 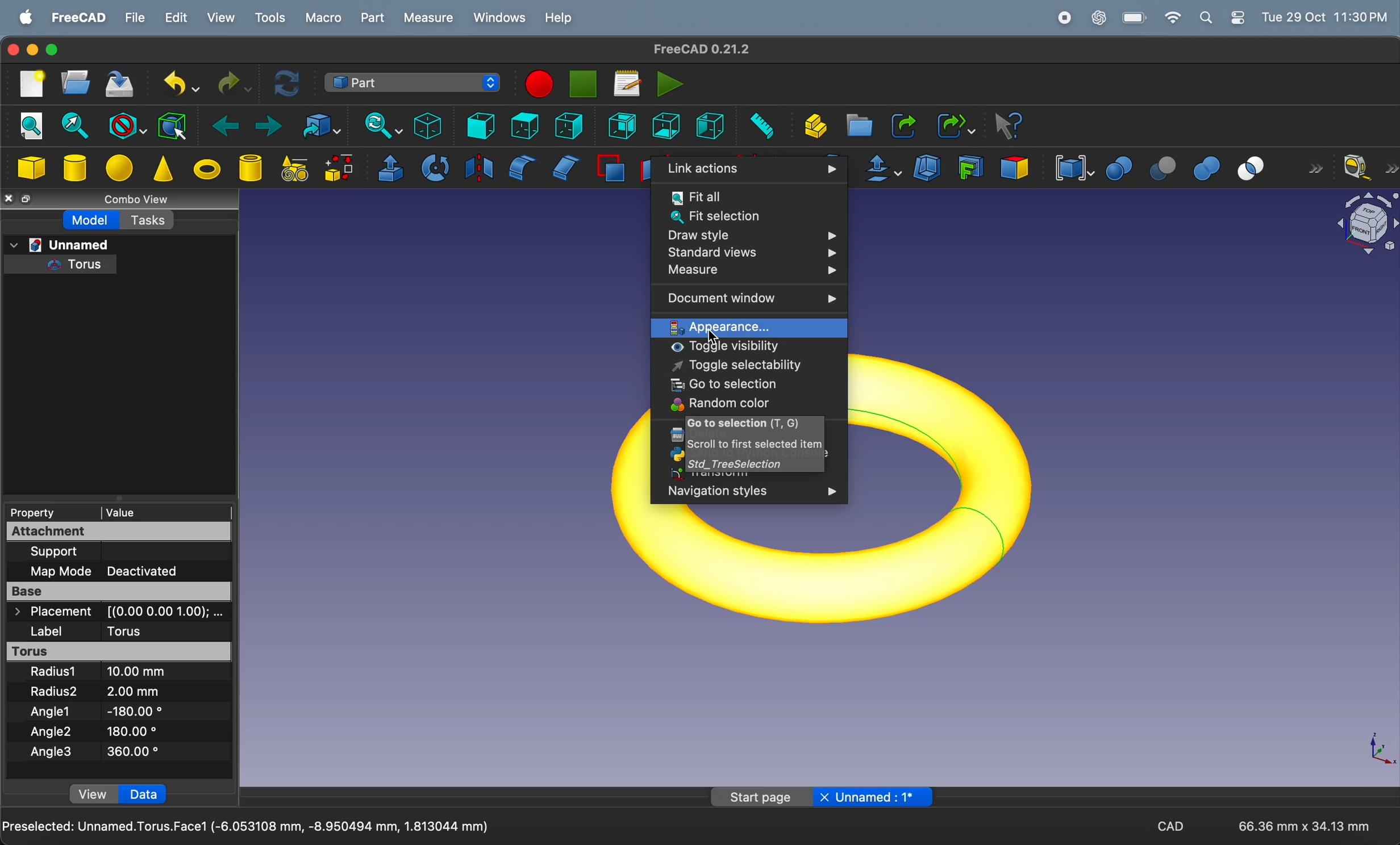 I want to click on go to link objects, so click(x=315, y=126).